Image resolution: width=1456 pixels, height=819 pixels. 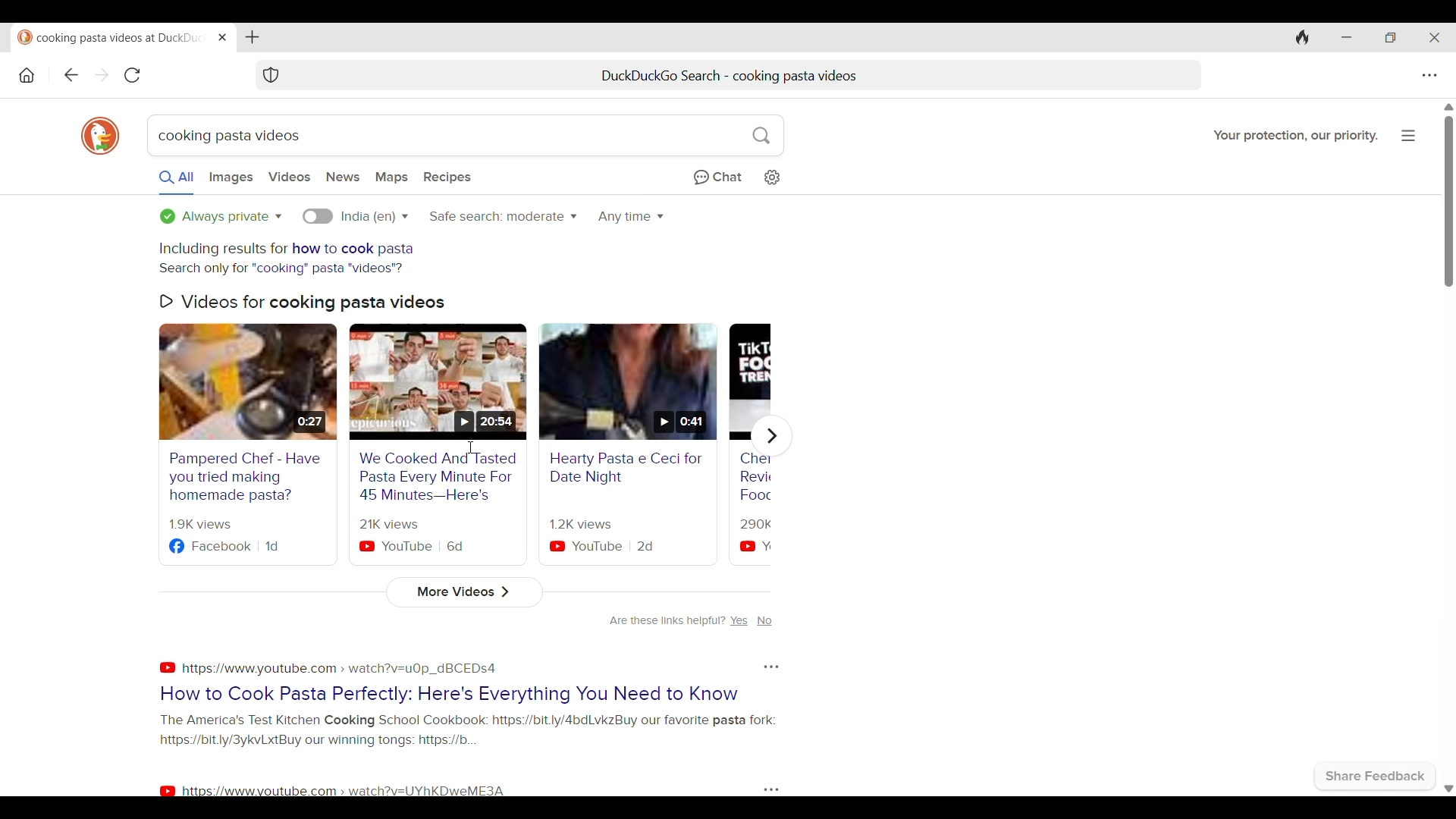 What do you see at coordinates (132, 75) in the screenshot?
I see `Refresh page` at bounding box center [132, 75].